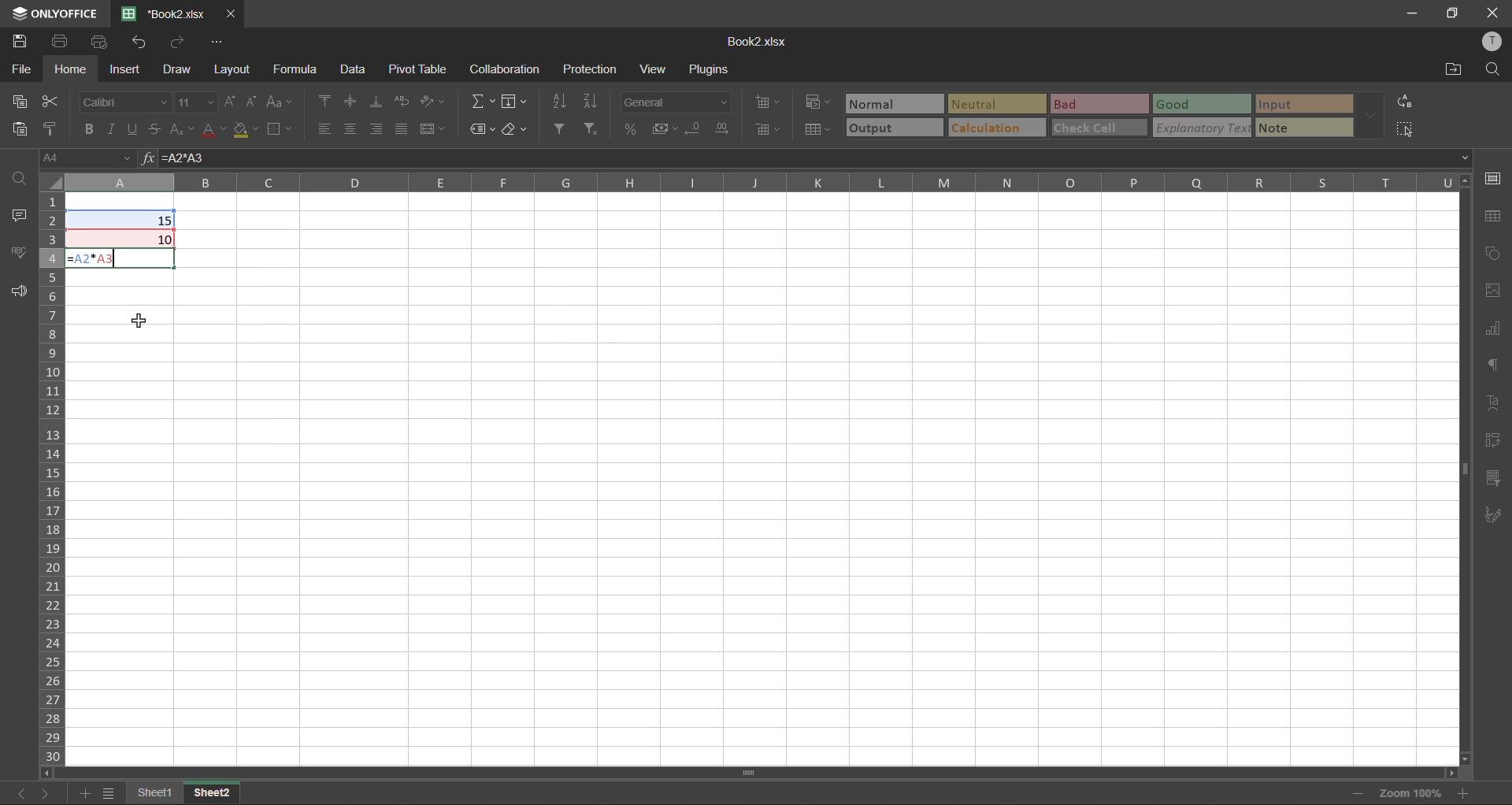 This screenshot has height=805, width=1512. What do you see at coordinates (1493, 68) in the screenshot?
I see `find` at bounding box center [1493, 68].